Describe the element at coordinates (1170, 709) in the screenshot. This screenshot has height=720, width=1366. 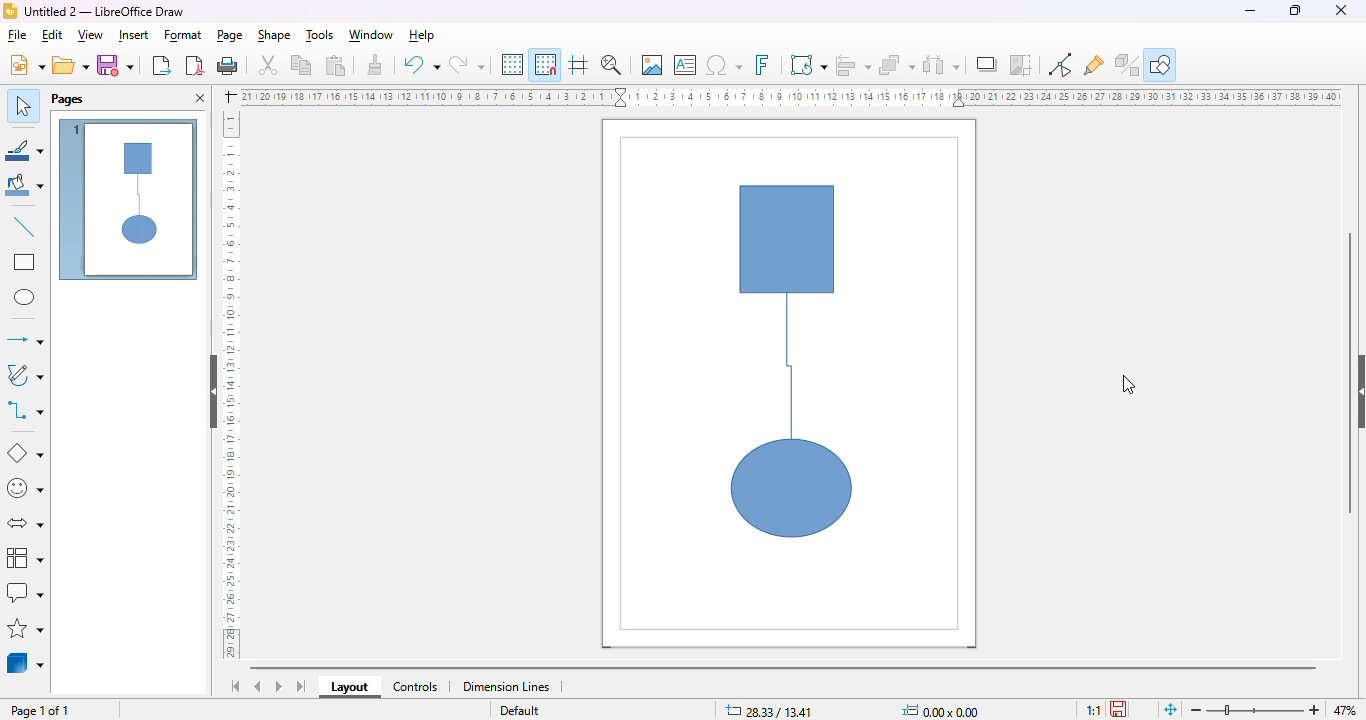
I see `fit page to current window` at that location.